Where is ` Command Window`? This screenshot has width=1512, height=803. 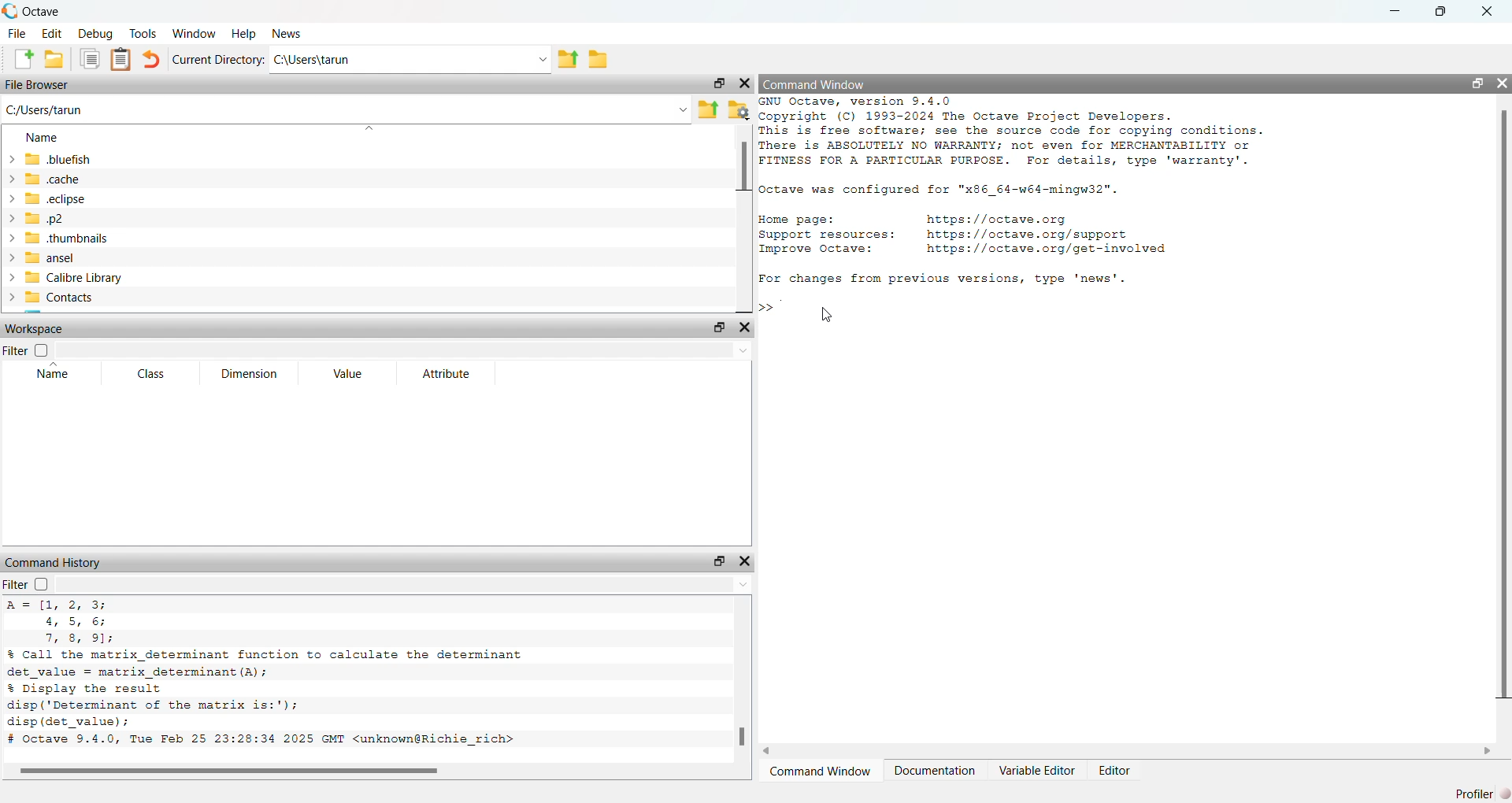
 Command Window is located at coordinates (821, 771).